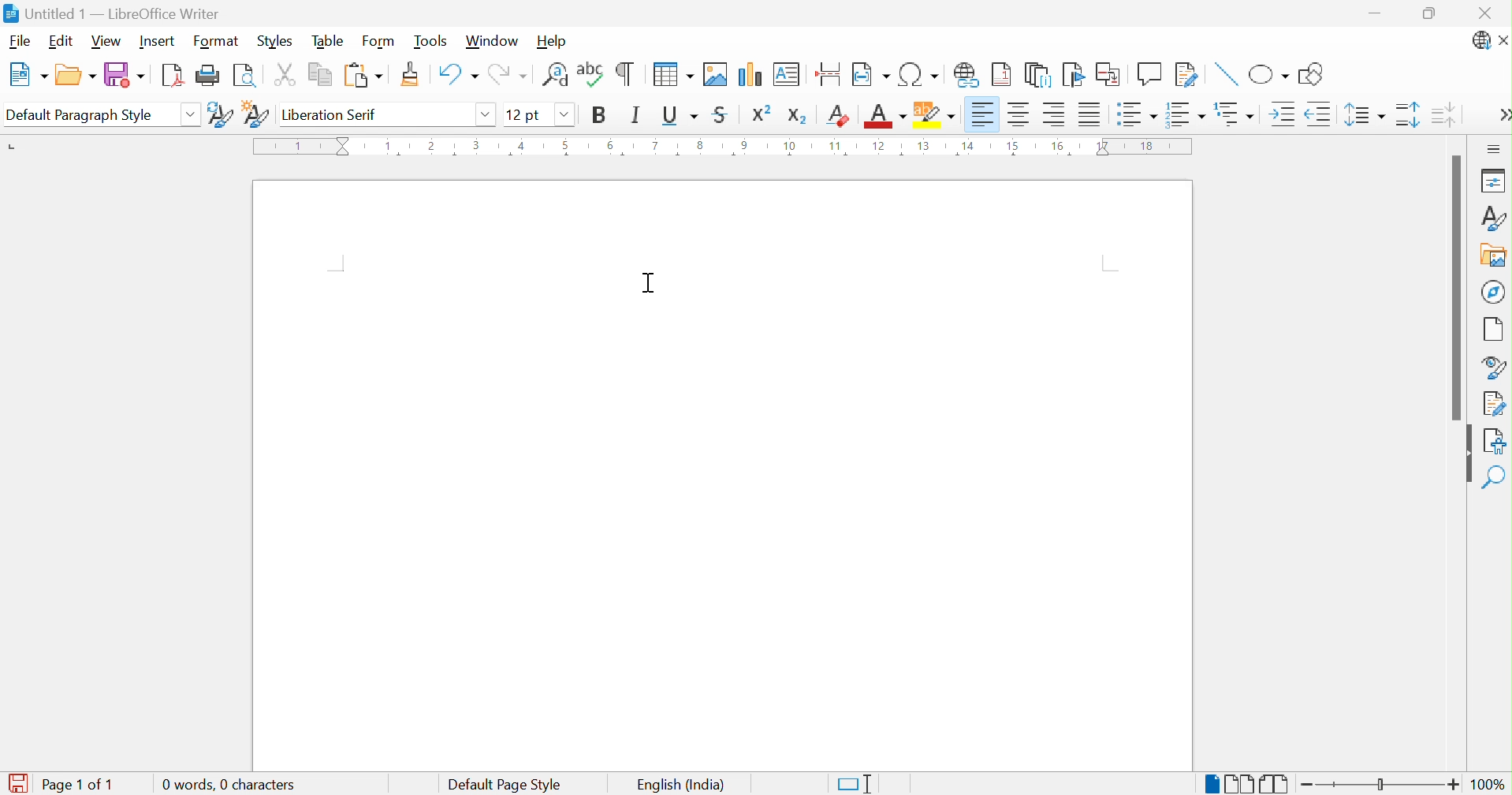 The height and width of the screenshot is (795, 1512). Describe the element at coordinates (936, 116) in the screenshot. I see `Character highlighting color` at that location.